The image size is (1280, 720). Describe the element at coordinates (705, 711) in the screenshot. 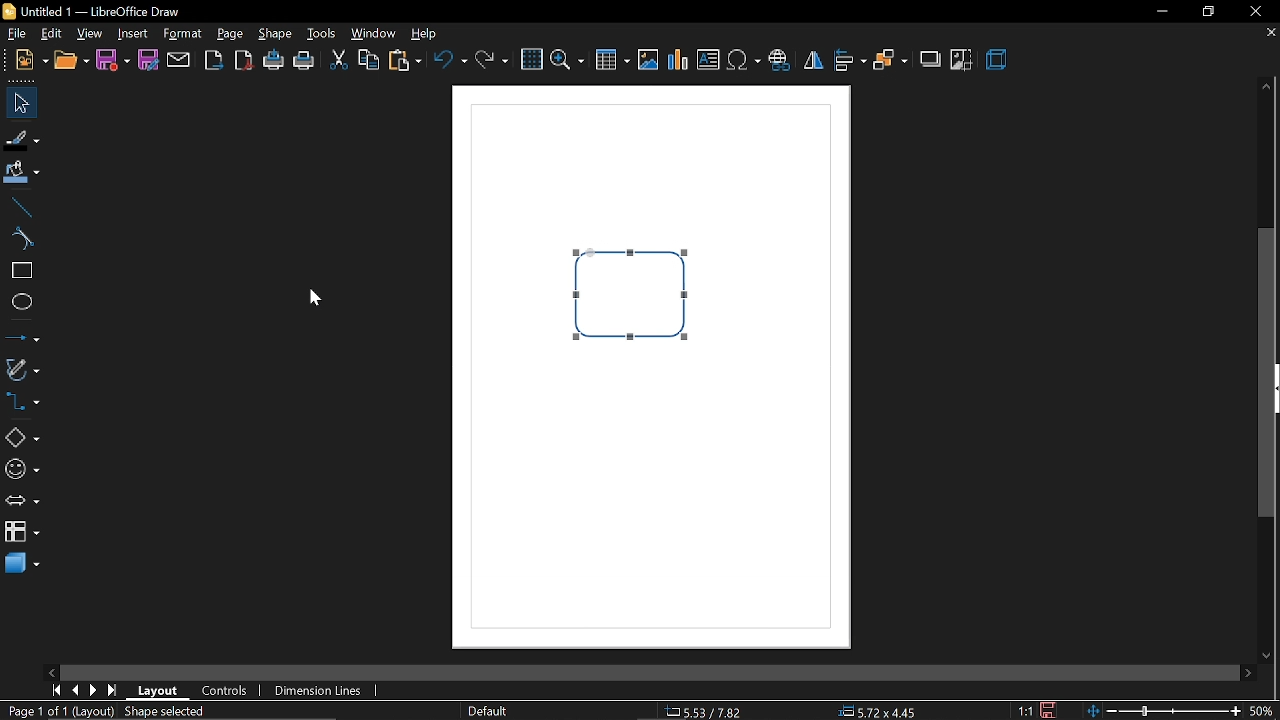

I see `co-ordinate` at that location.